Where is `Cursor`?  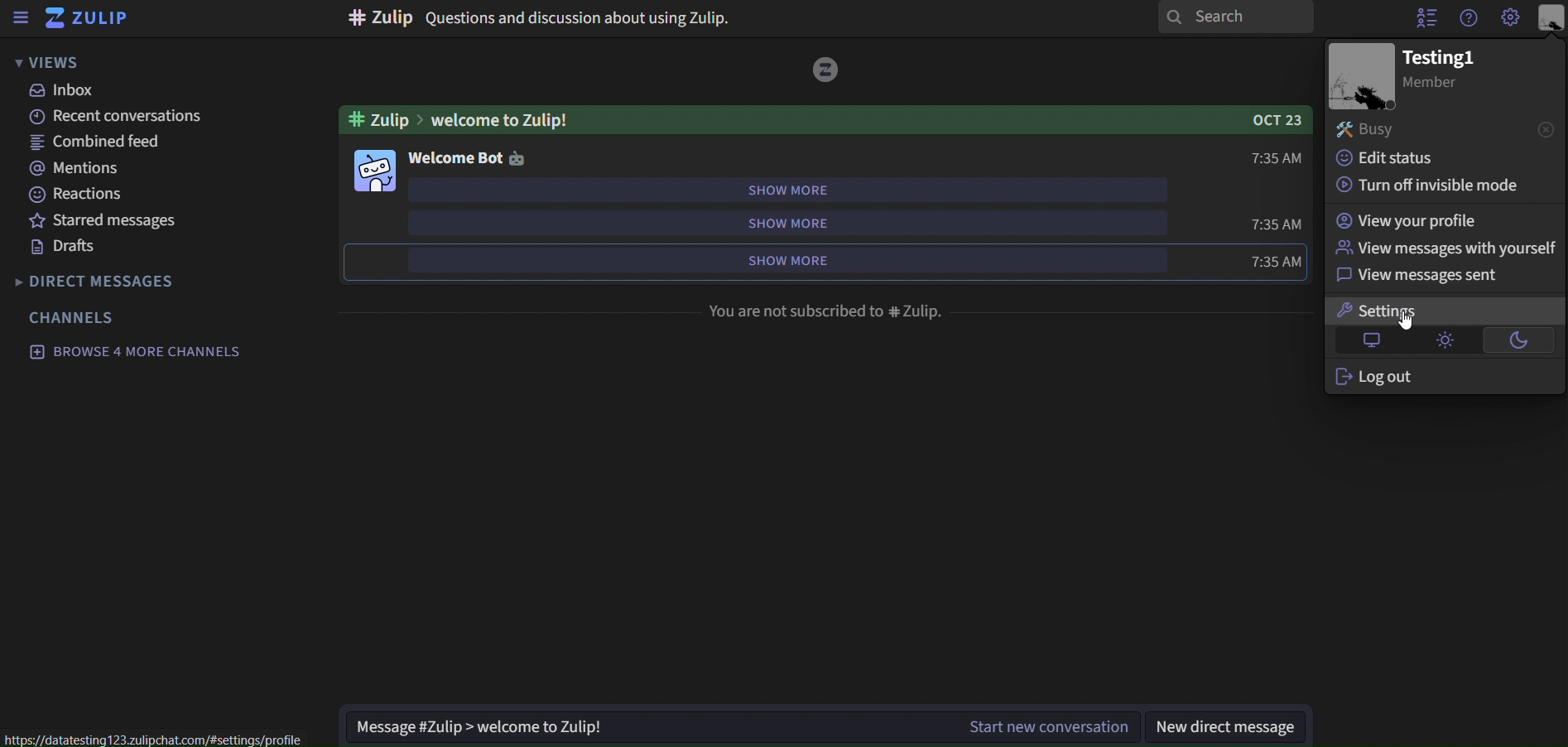
Cursor is located at coordinates (1412, 322).